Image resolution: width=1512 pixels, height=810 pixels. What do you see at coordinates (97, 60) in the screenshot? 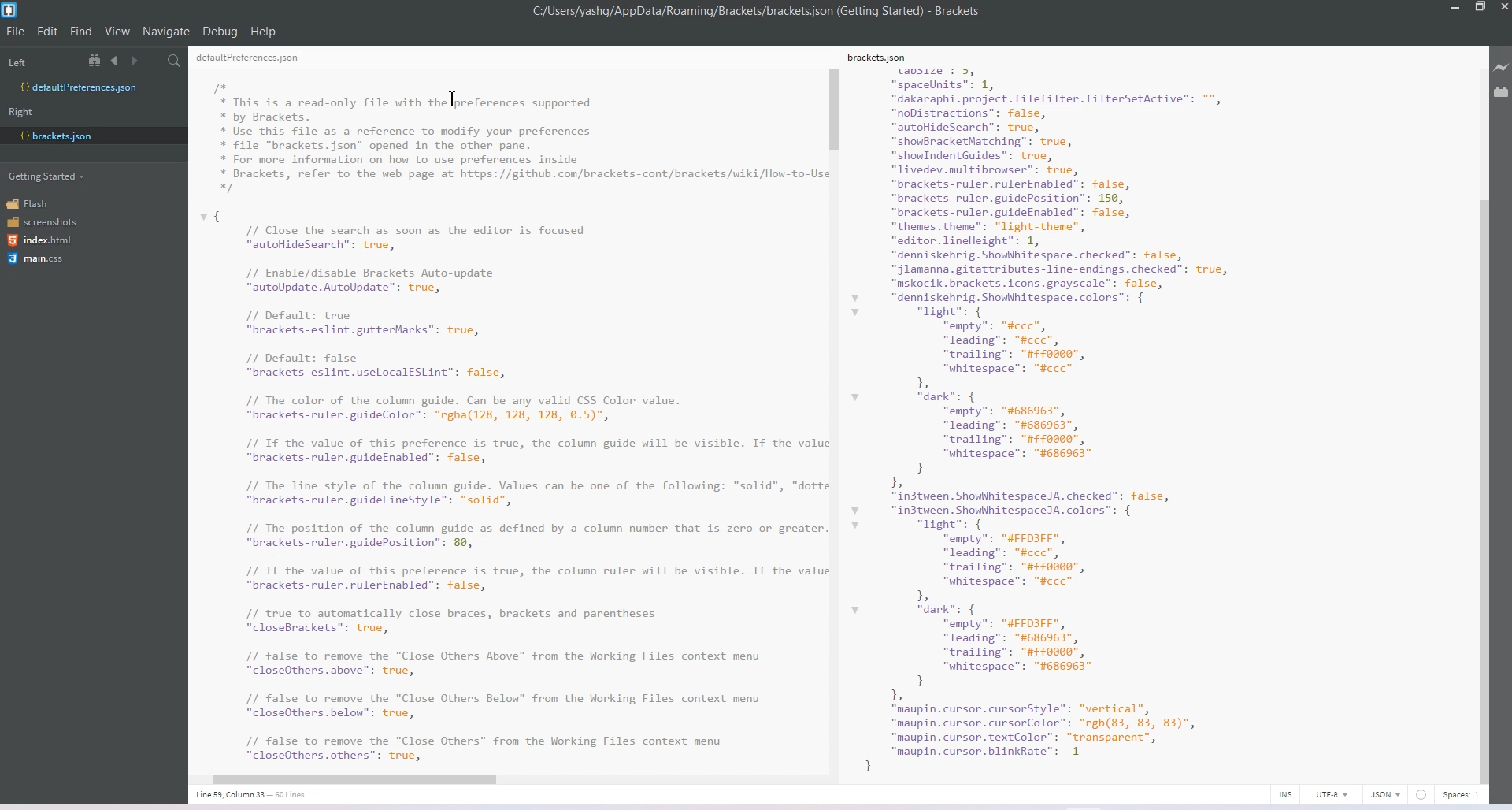
I see `View in file Tree` at bounding box center [97, 60].